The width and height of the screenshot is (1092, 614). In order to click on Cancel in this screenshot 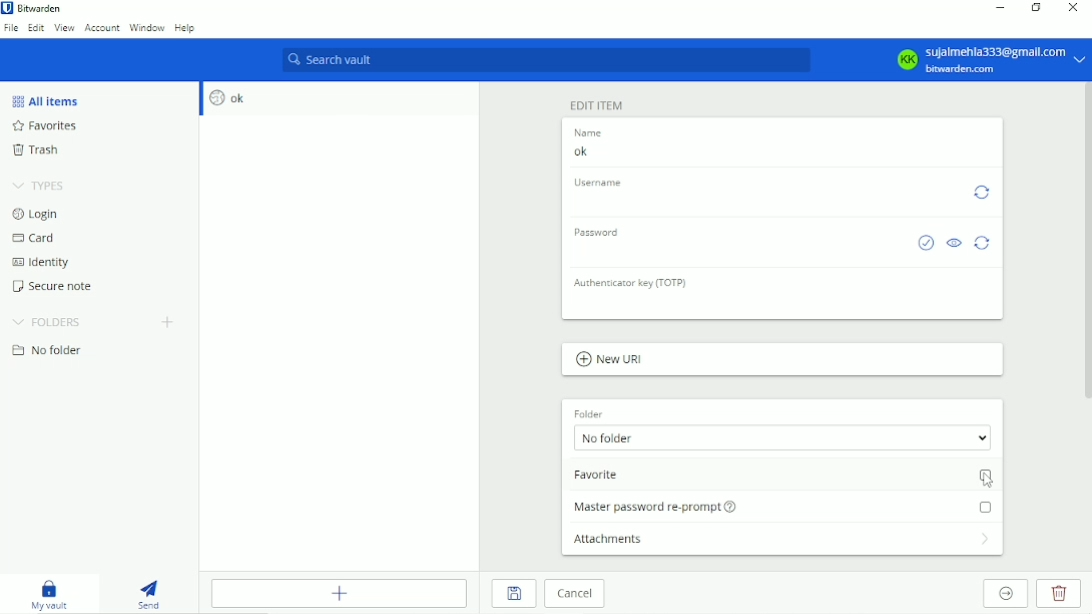, I will do `click(578, 594)`.